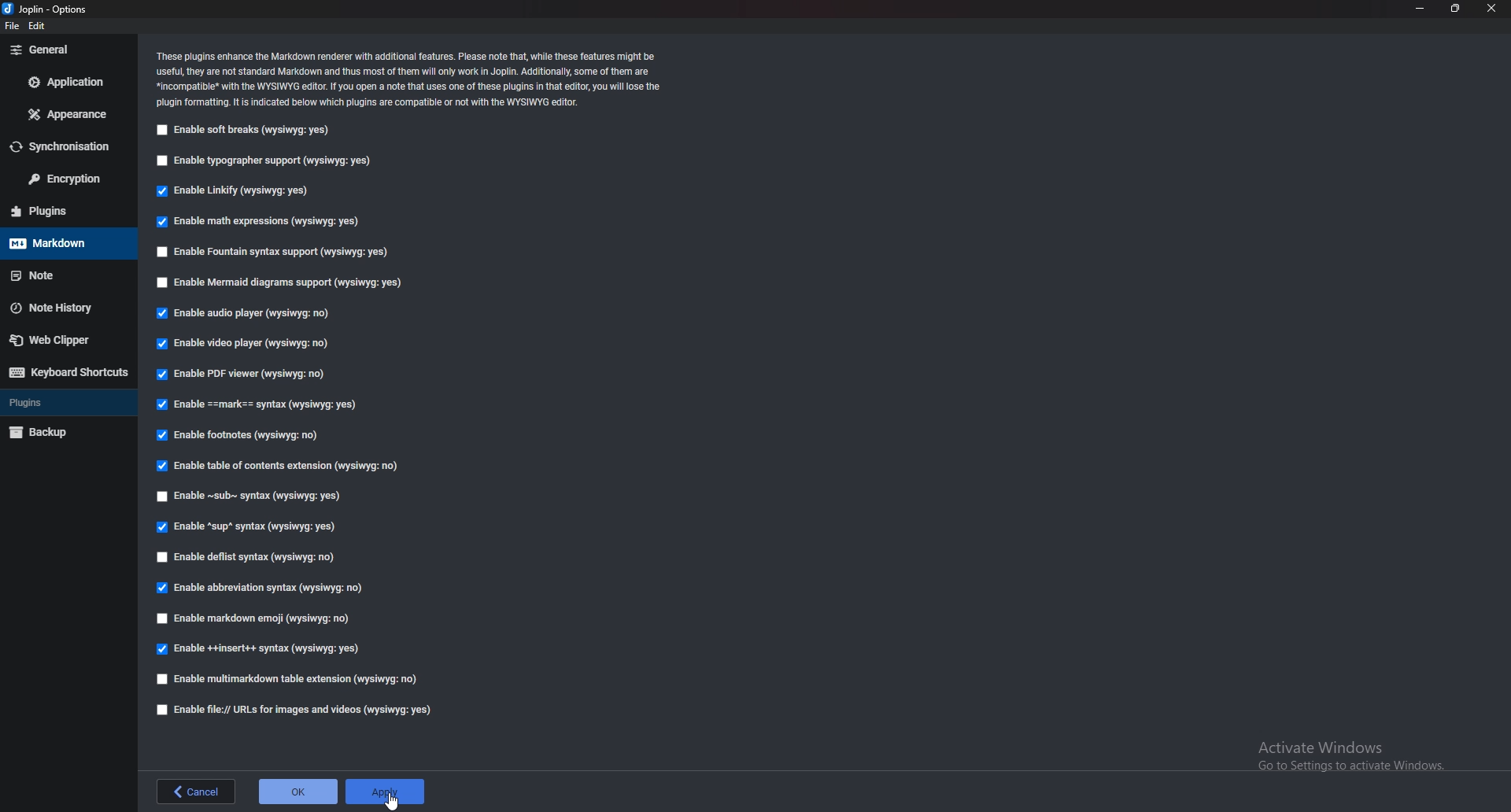  What do you see at coordinates (386, 785) in the screenshot?
I see `apply` at bounding box center [386, 785].